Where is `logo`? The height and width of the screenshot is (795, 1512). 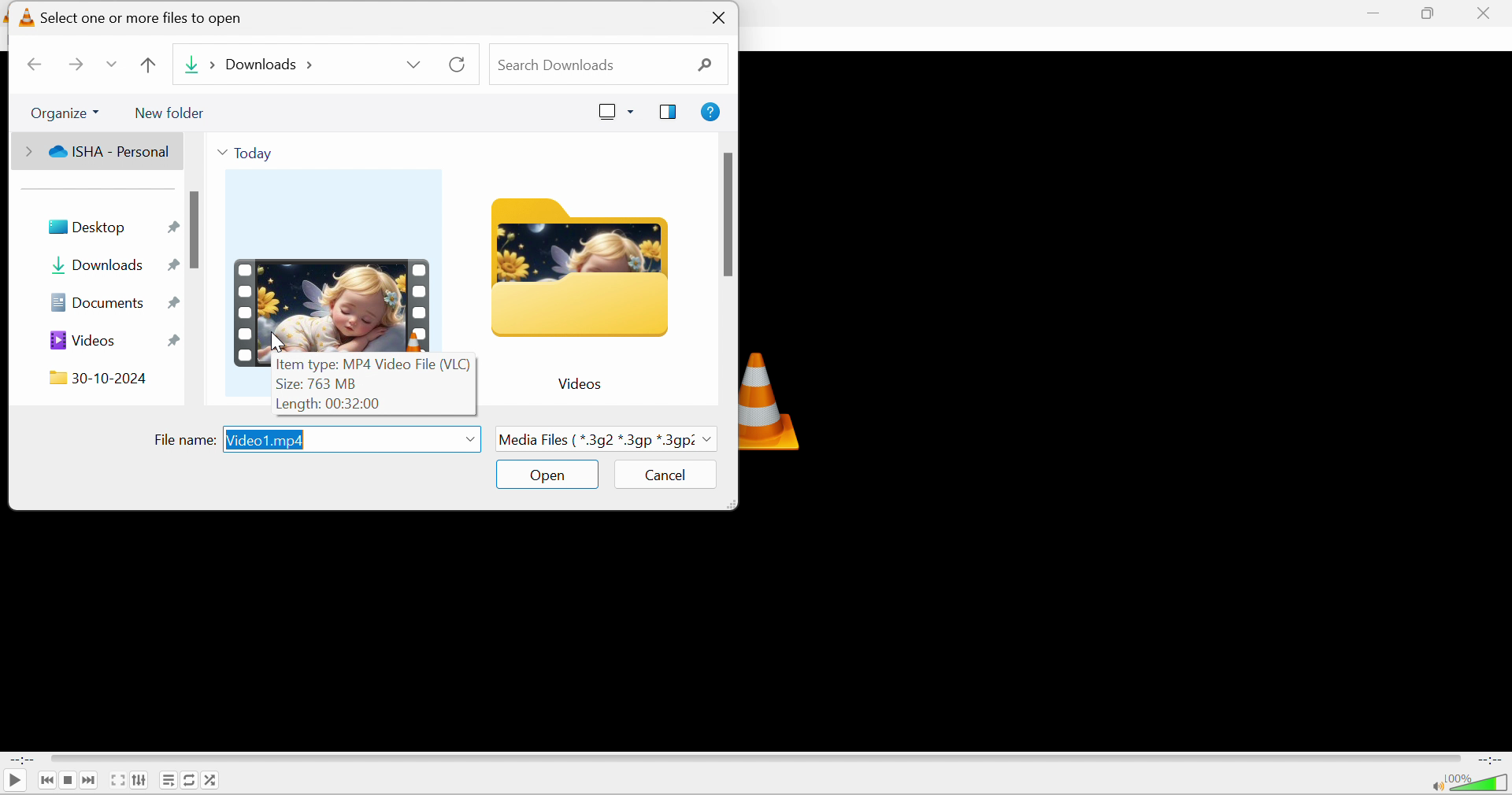 logo is located at coordinates (28, 17).